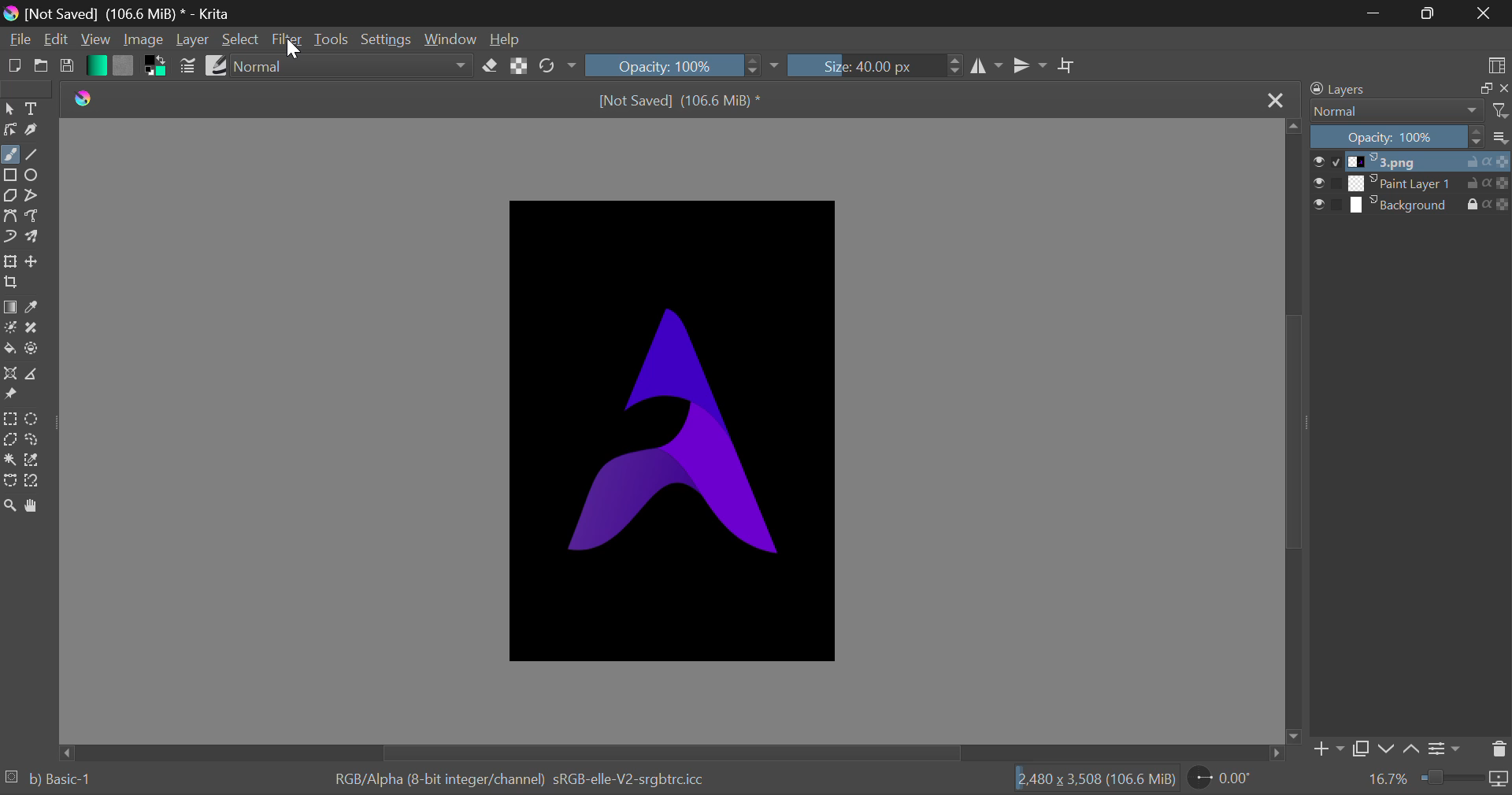 Image resolution: width=1512 pixels, height=795 pixels. Describe the element at coordinates (1411, 183) in the screenshot. I see `Paint Layer 1` at that location.